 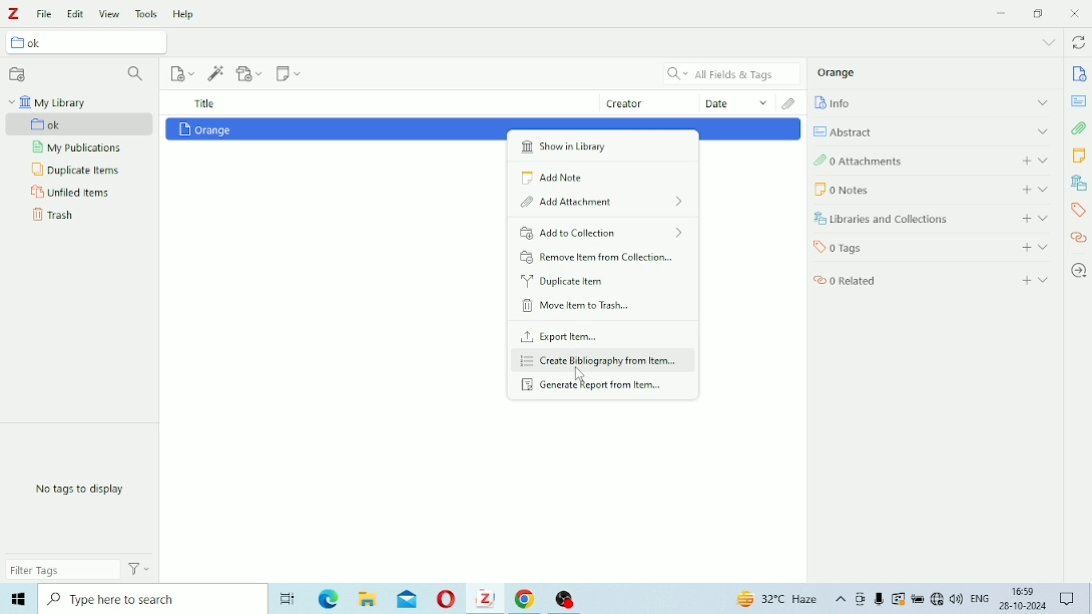 I want to click on 26-10-2024, so click(x=1026, y=605).